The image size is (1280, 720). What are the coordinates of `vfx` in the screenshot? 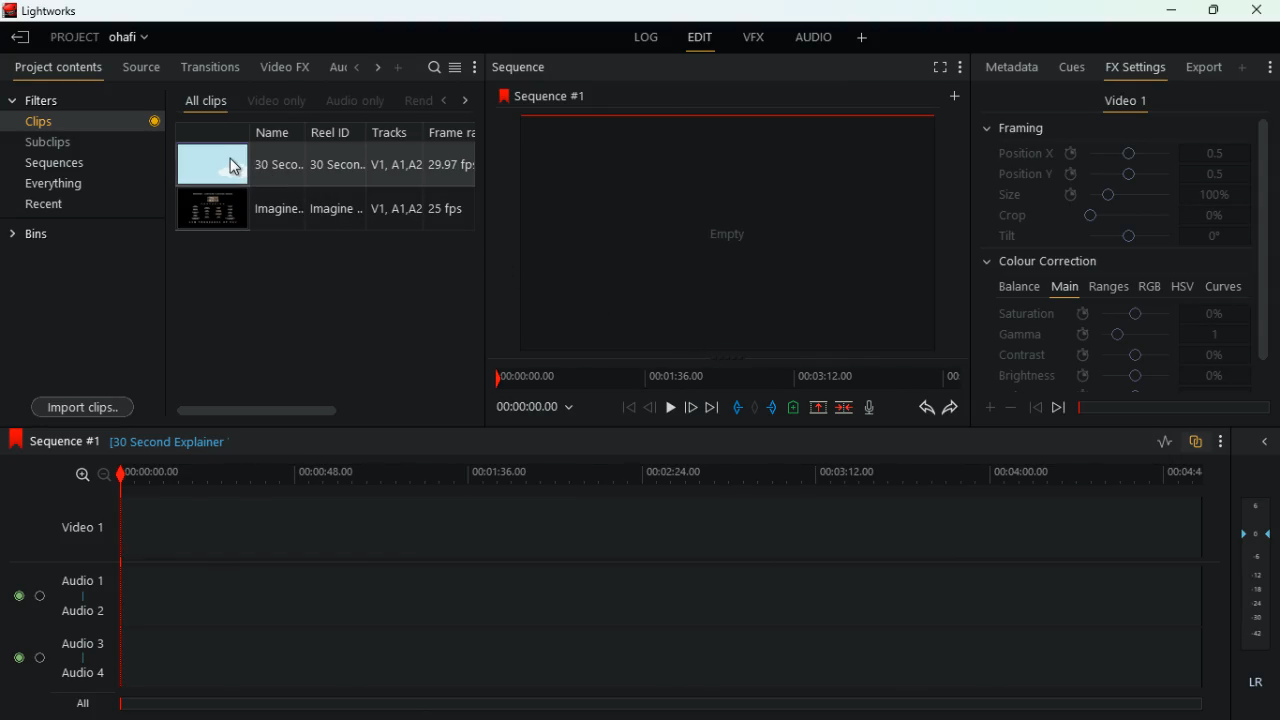 It's located at (757, 37).